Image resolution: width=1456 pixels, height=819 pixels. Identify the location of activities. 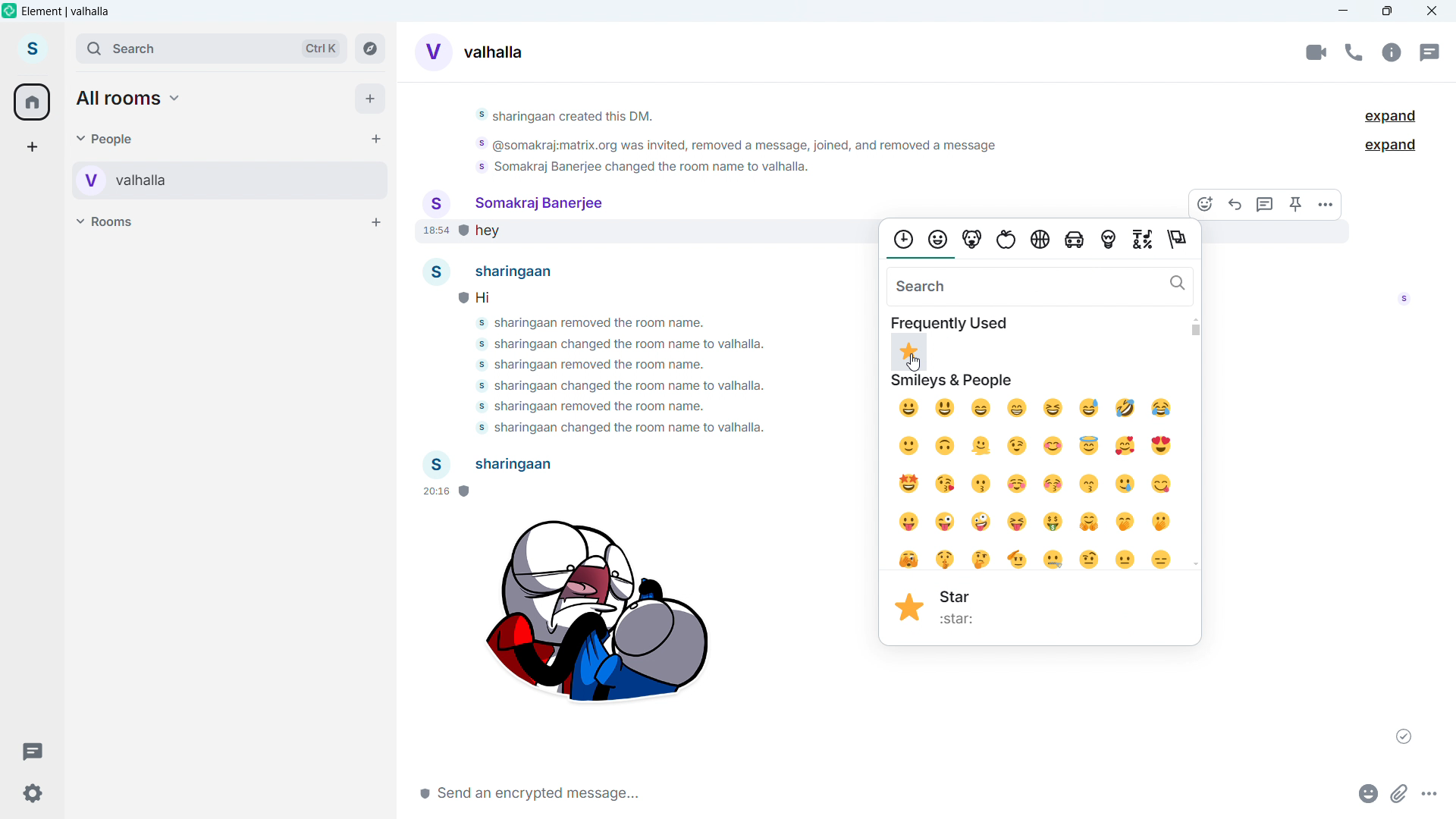
(1040, 239).